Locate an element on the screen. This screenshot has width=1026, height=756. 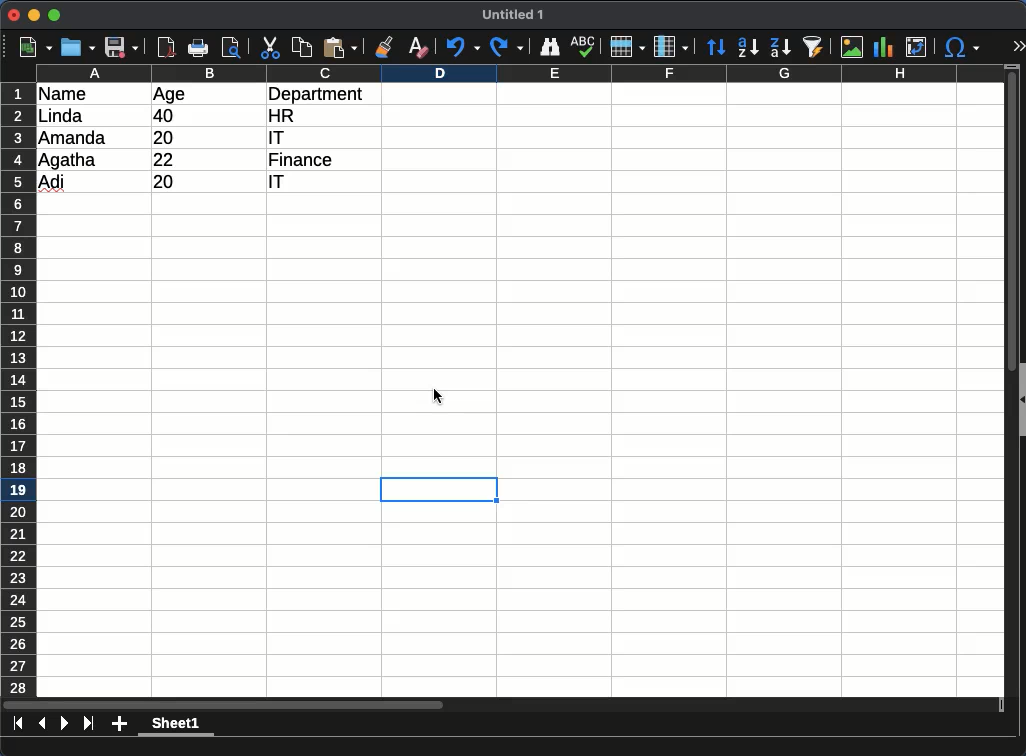
sort is located at coordinates (718, 47).